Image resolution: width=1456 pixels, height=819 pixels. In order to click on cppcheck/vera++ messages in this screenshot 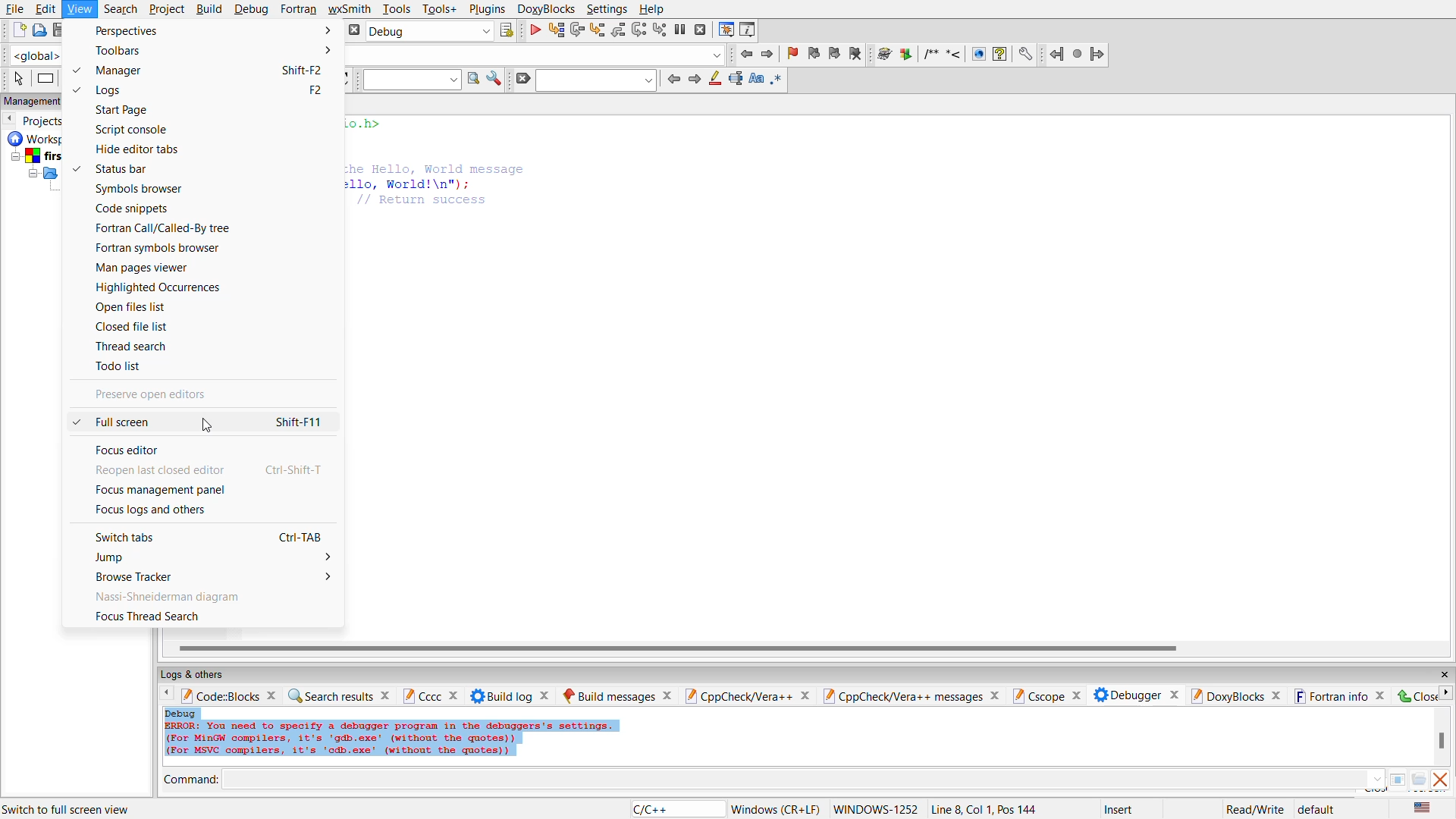, I will do `click(911, 693)`.